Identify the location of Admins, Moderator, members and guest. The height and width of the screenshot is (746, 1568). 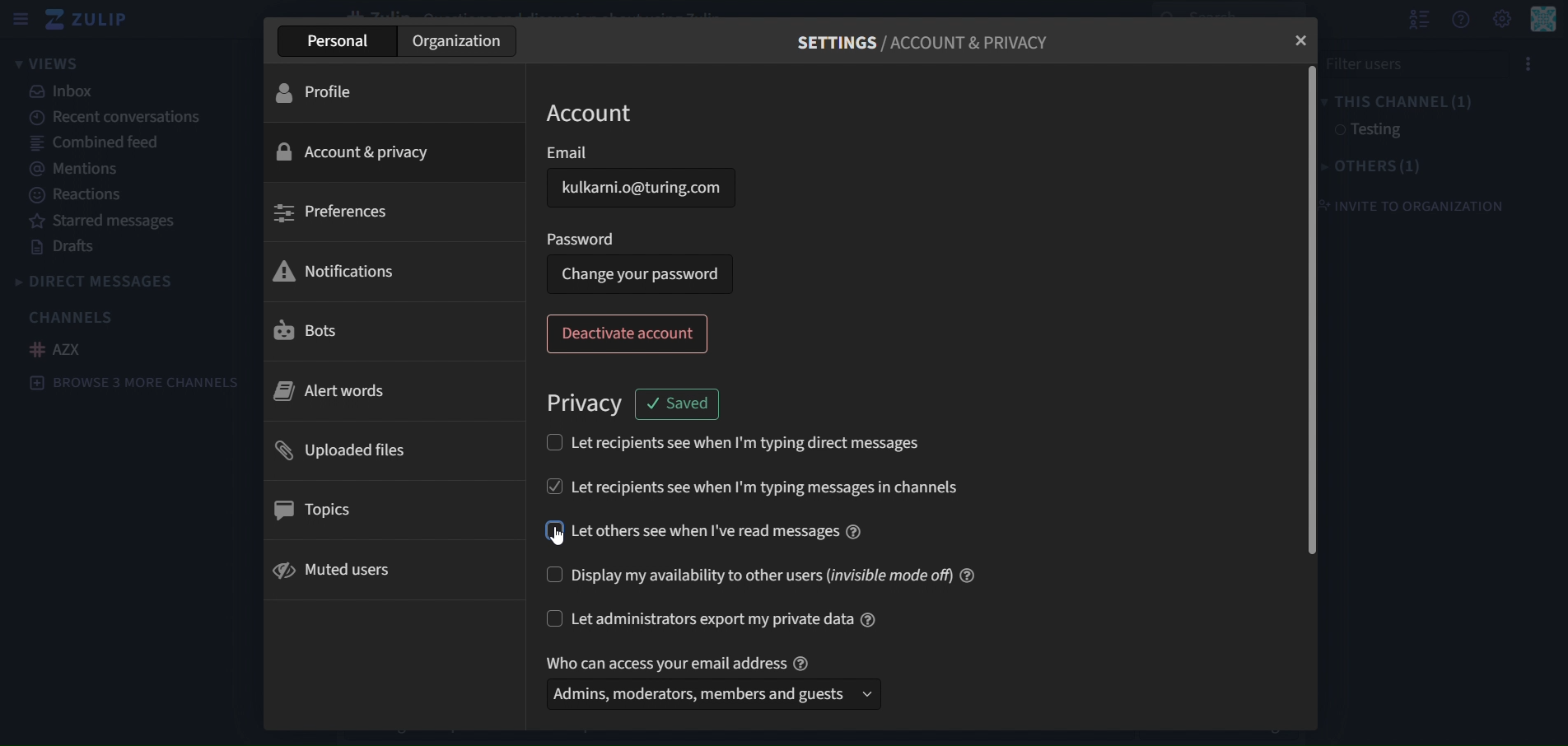
(707, 697).